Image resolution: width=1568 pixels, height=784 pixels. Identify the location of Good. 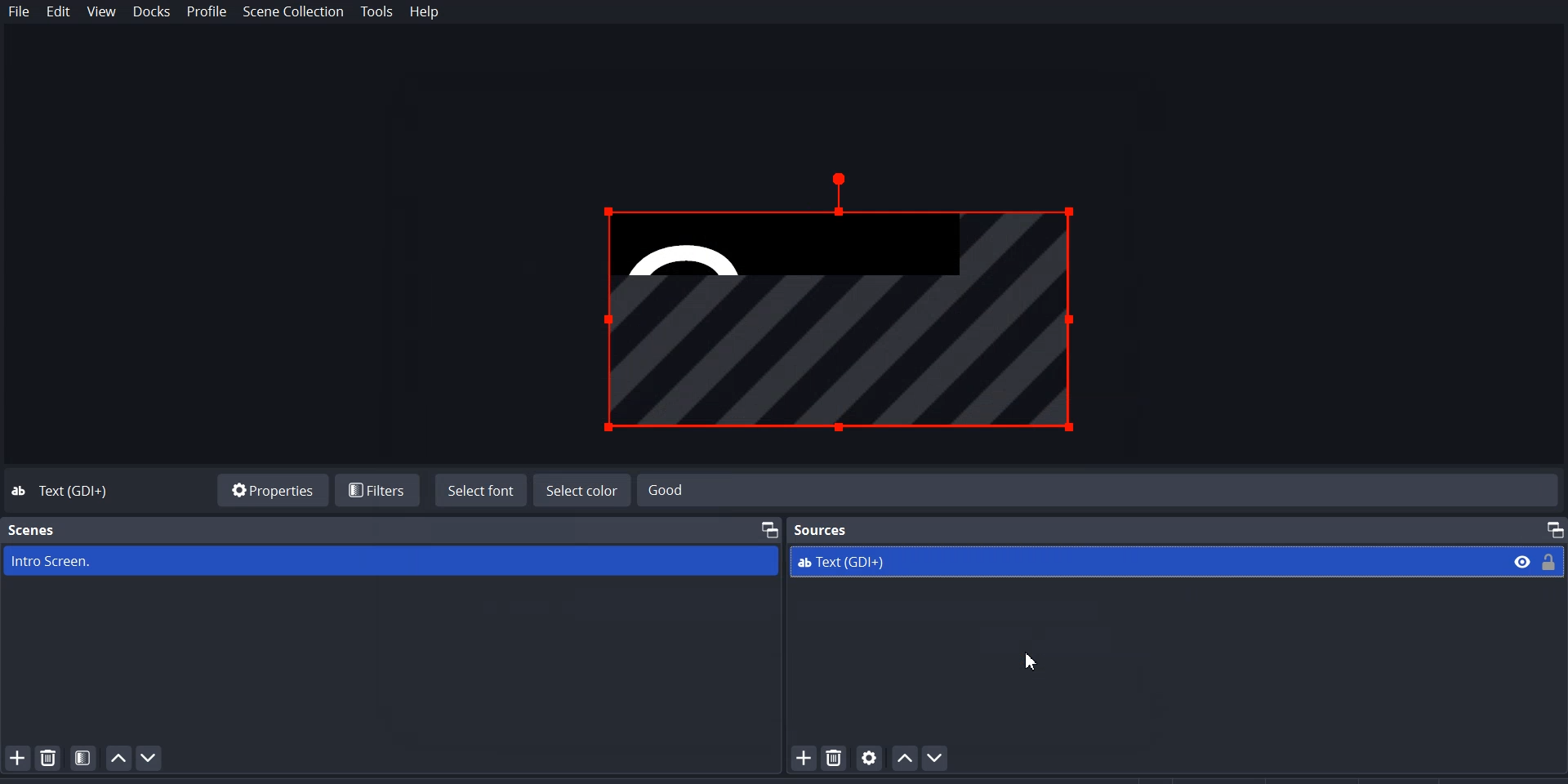
(1089, 491).